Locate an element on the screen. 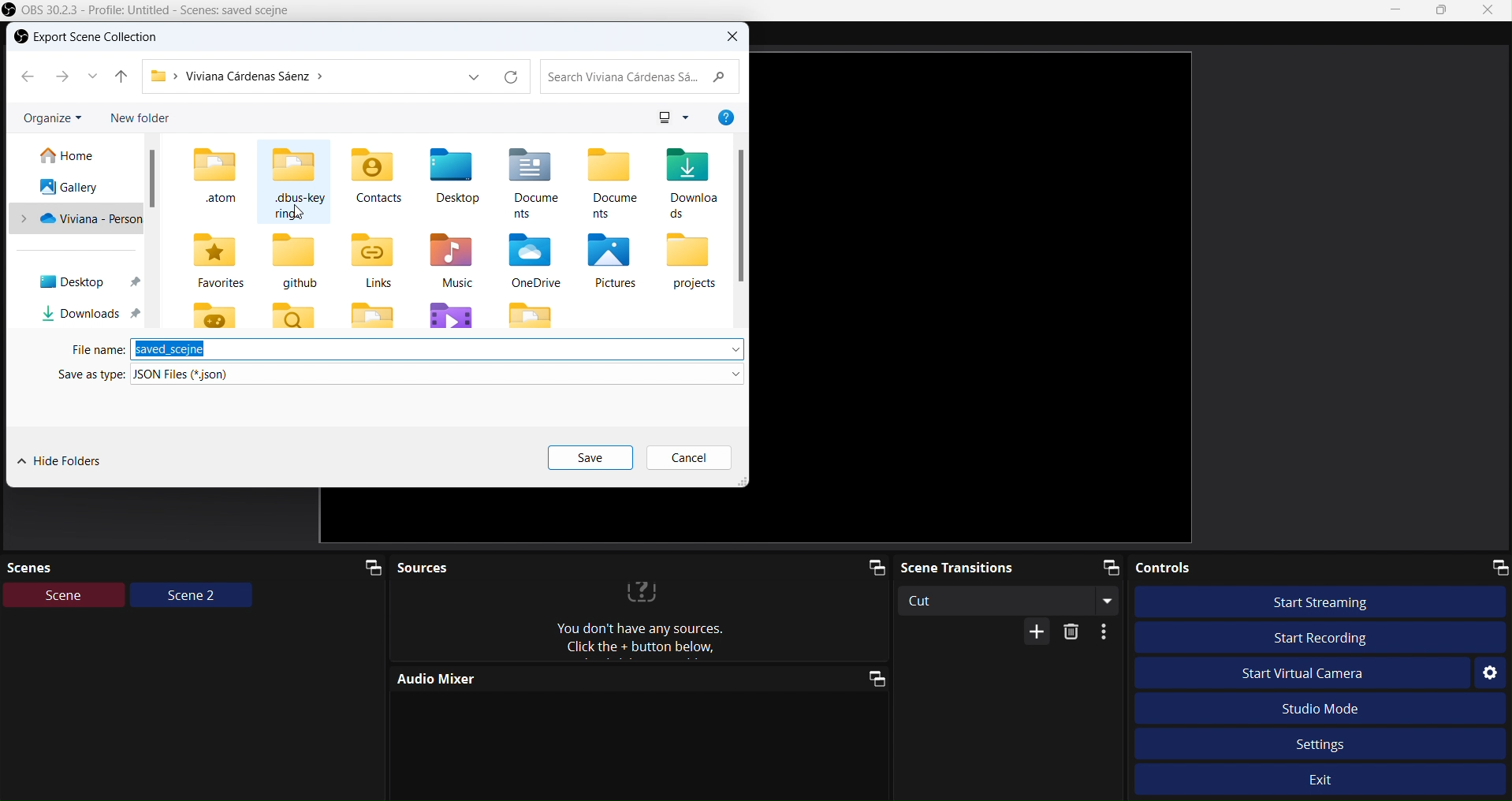 This screenshot has width=1512, height=801. Audio Mixer is located at coordinates (638, 677).